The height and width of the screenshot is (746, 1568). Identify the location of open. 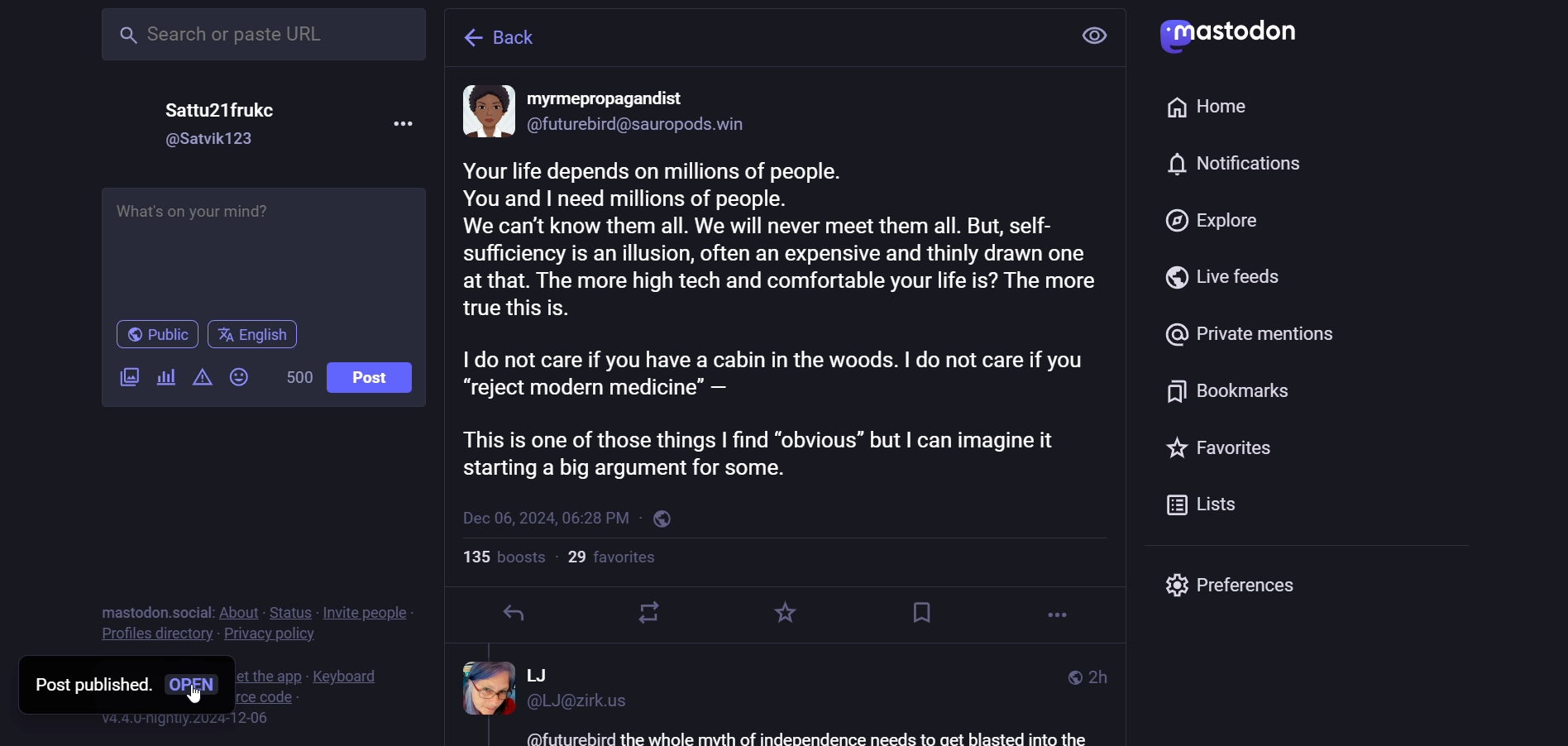
(194, 686).